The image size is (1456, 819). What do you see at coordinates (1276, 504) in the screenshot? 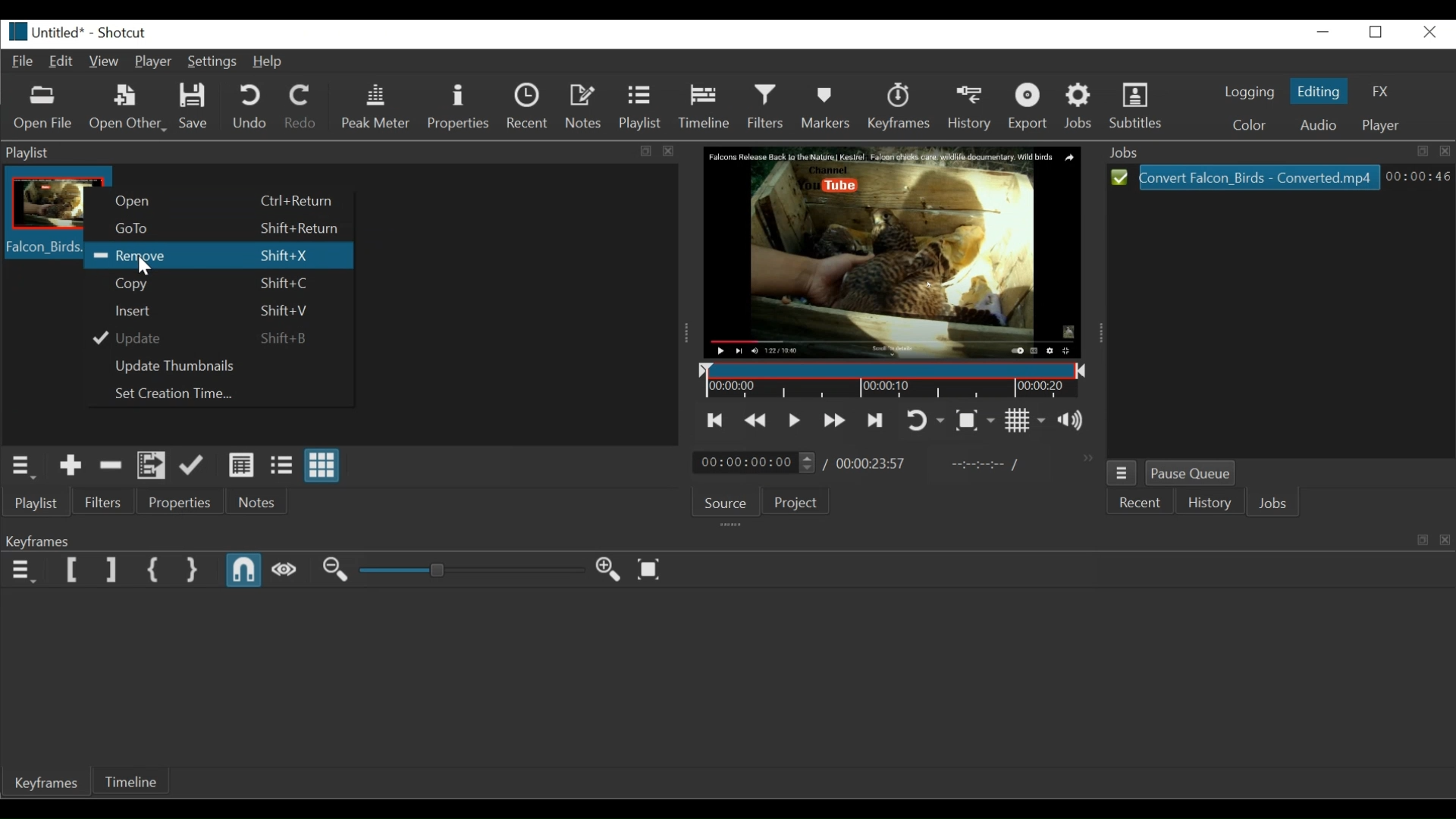
I see `Jobs` at bounding box center [1276, 504].